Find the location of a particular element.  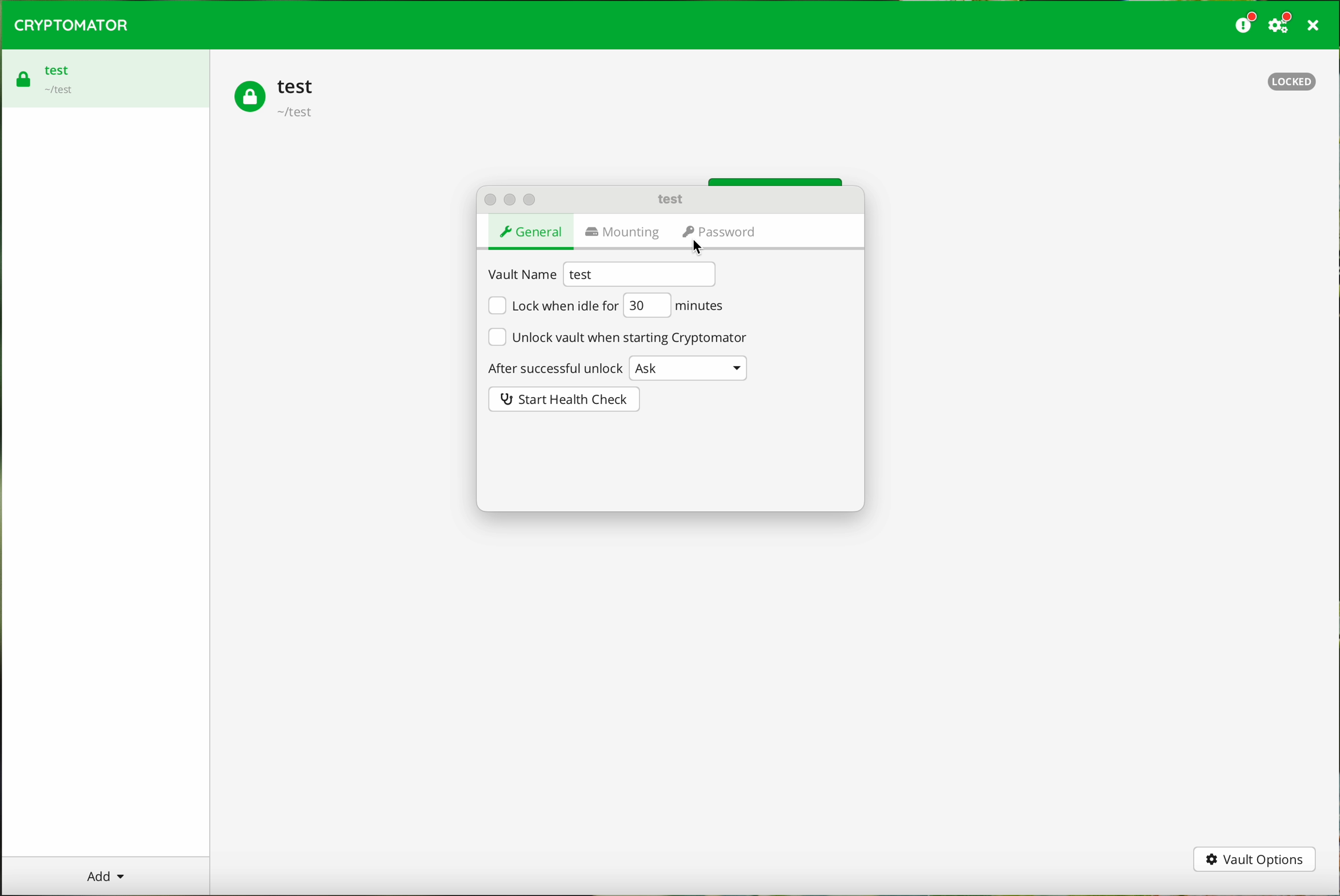

after successful unlock is located at coordinates (554, 367).